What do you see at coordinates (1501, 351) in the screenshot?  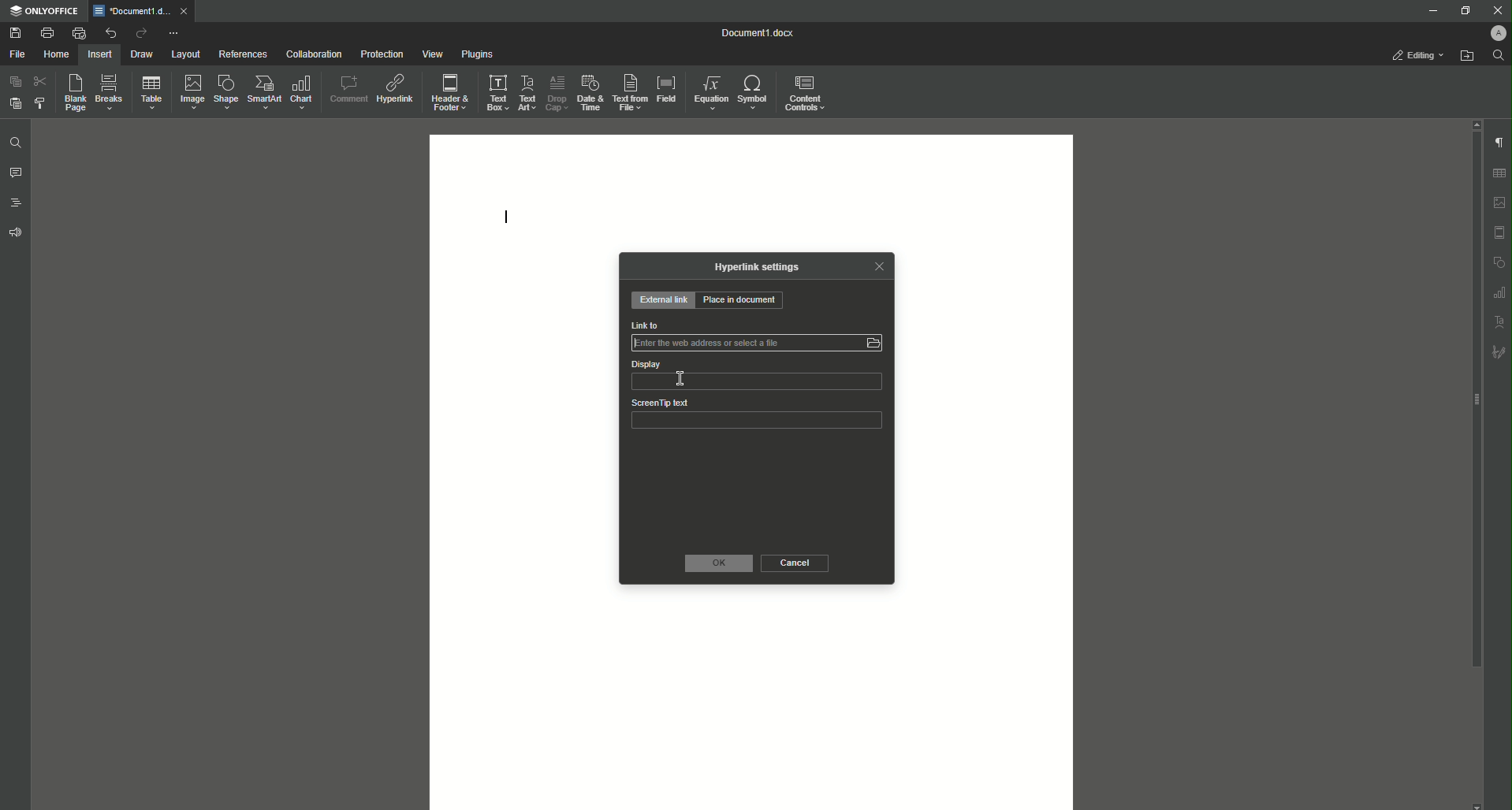 I see `Signature settings` at bounding box center [1501, 351].